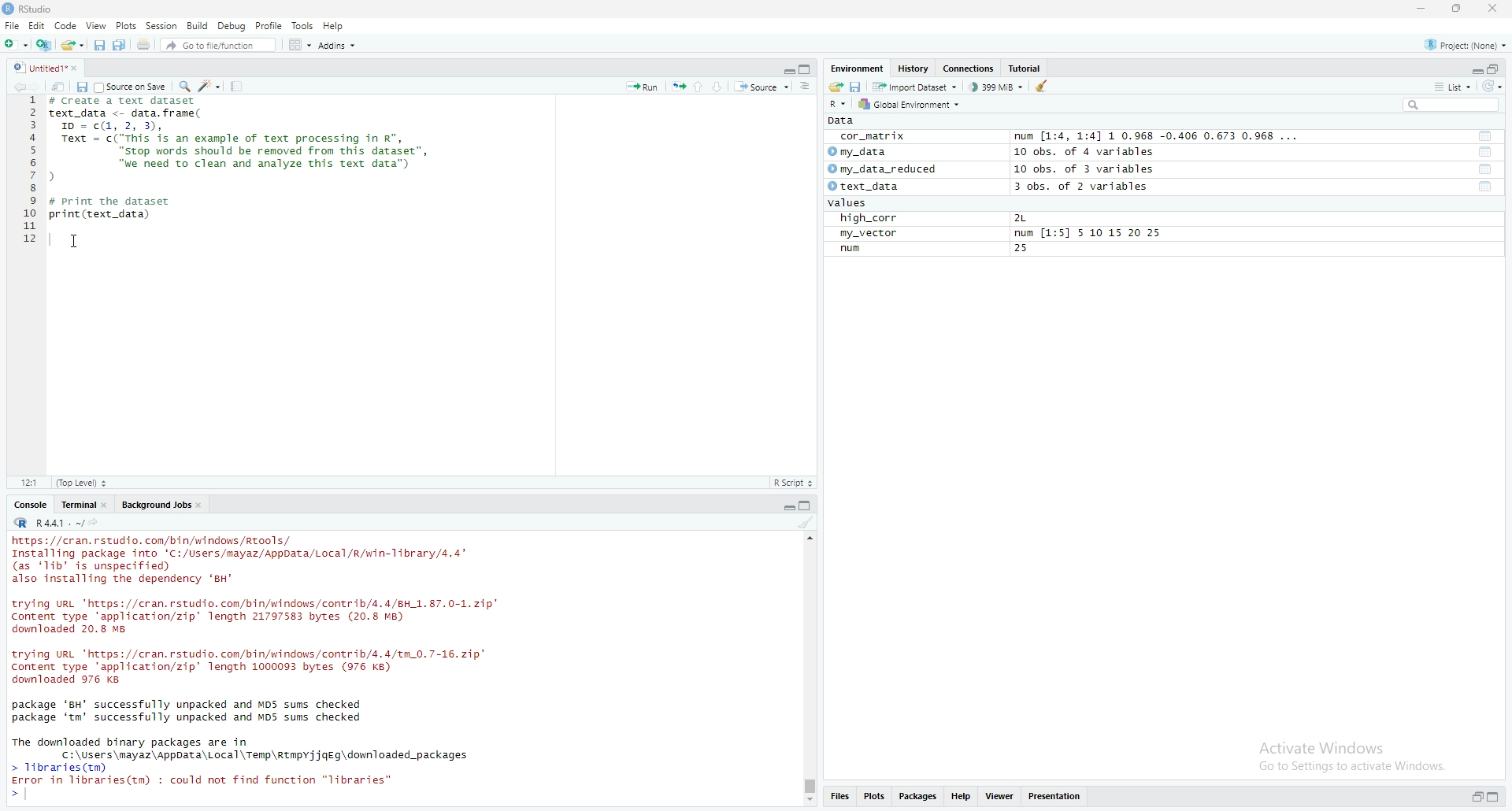 The height and width of the screenshot is (811, 1512). I want to click on workspace panes, so click(300, 46).